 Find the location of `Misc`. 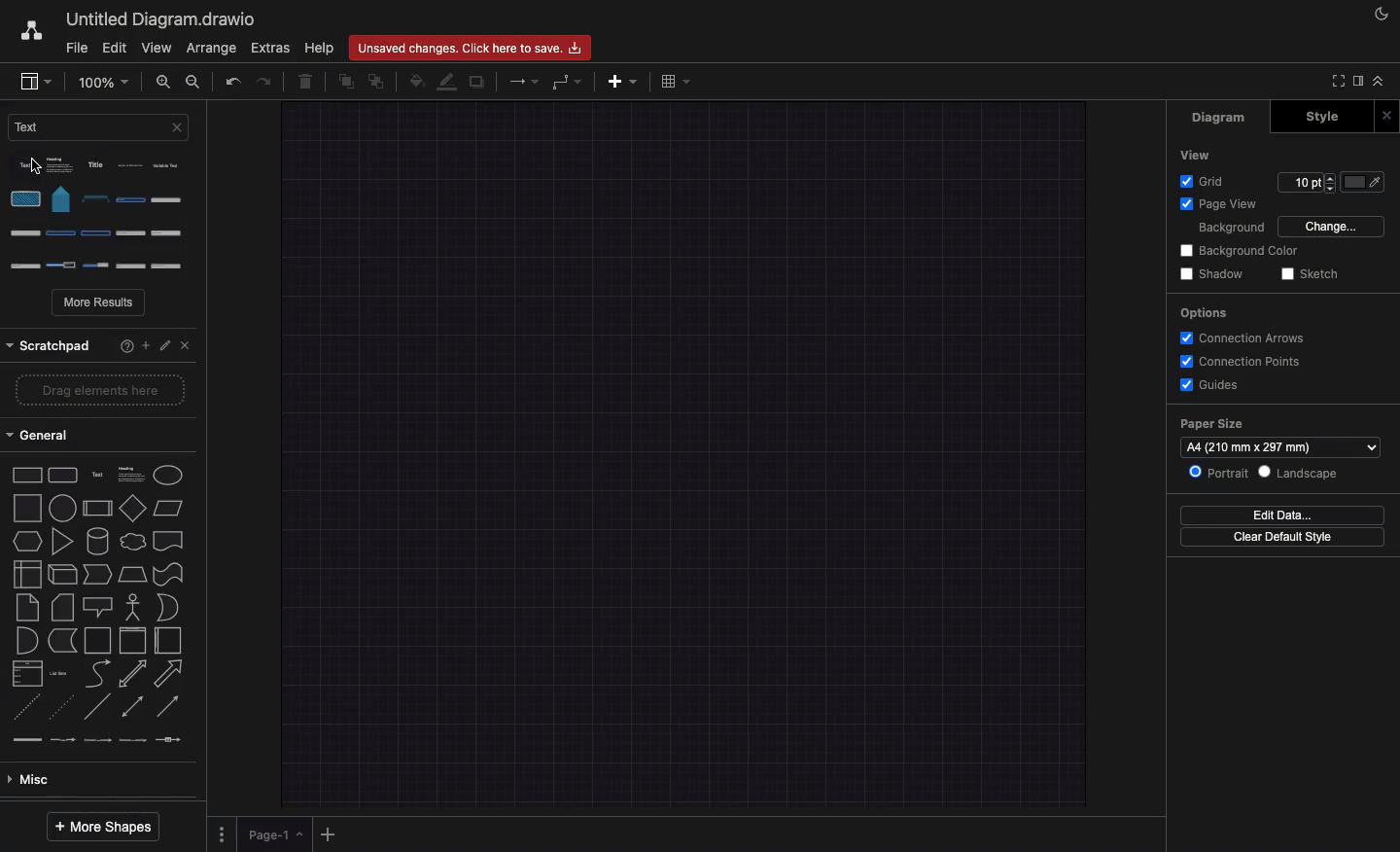

Misc is located at coordinates (32, 782).